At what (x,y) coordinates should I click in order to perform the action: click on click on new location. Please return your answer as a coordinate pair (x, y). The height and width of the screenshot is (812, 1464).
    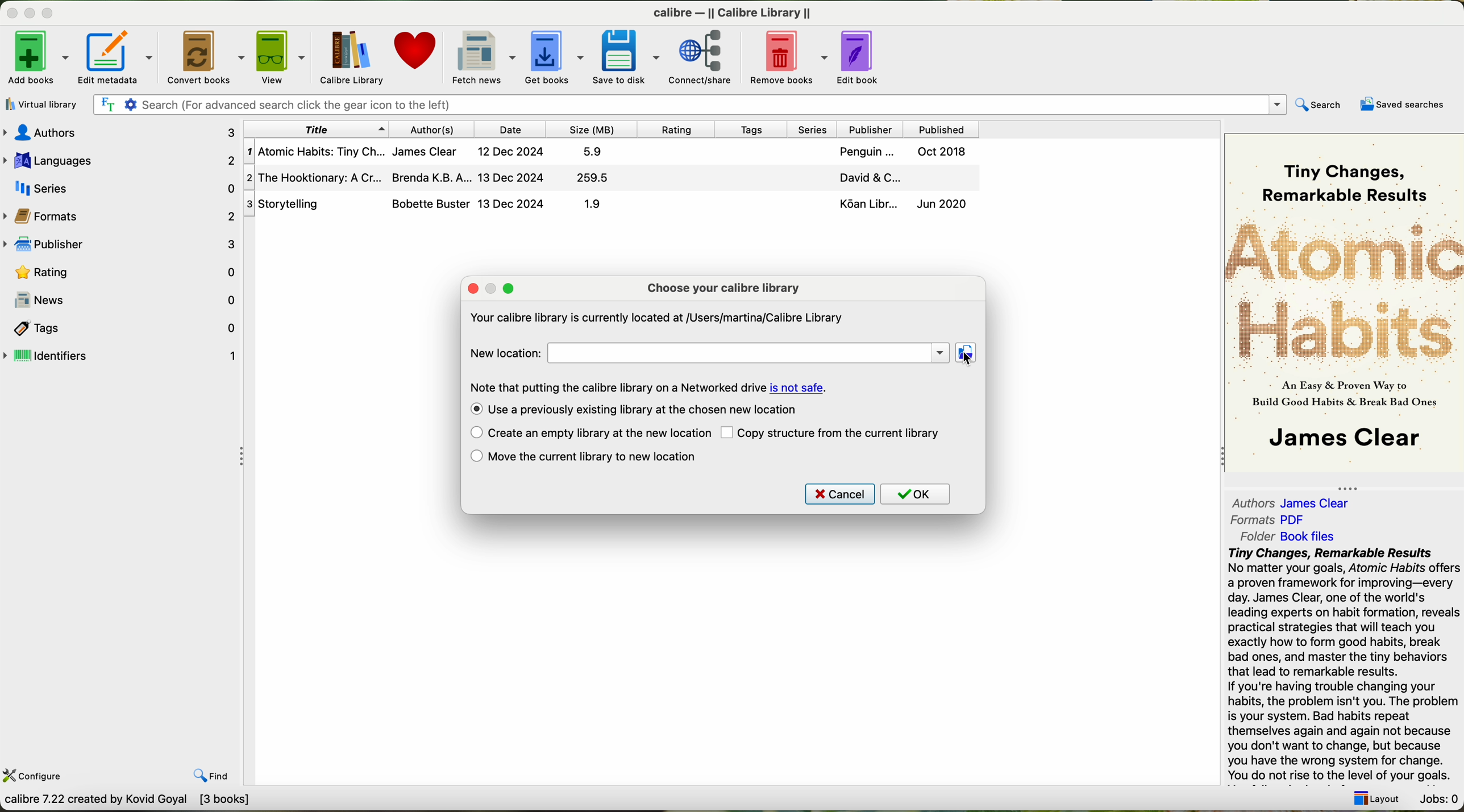
    Looking at the image, I should click on (968, 354).